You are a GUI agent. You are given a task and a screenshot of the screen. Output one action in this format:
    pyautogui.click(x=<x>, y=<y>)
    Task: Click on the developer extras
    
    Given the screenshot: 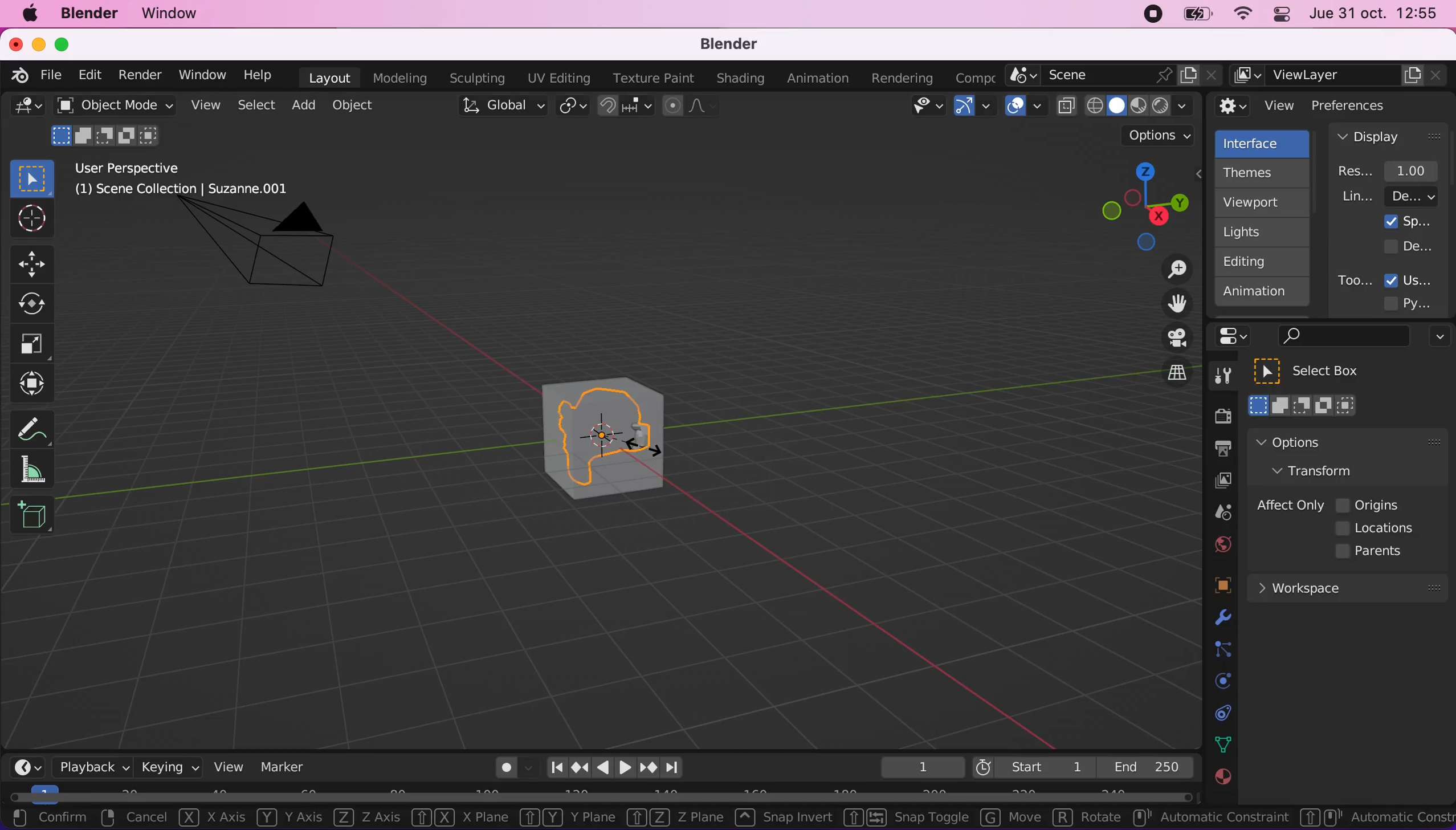 What is the action you would take?
    pyautogui.click(x=1410, y=246)
    